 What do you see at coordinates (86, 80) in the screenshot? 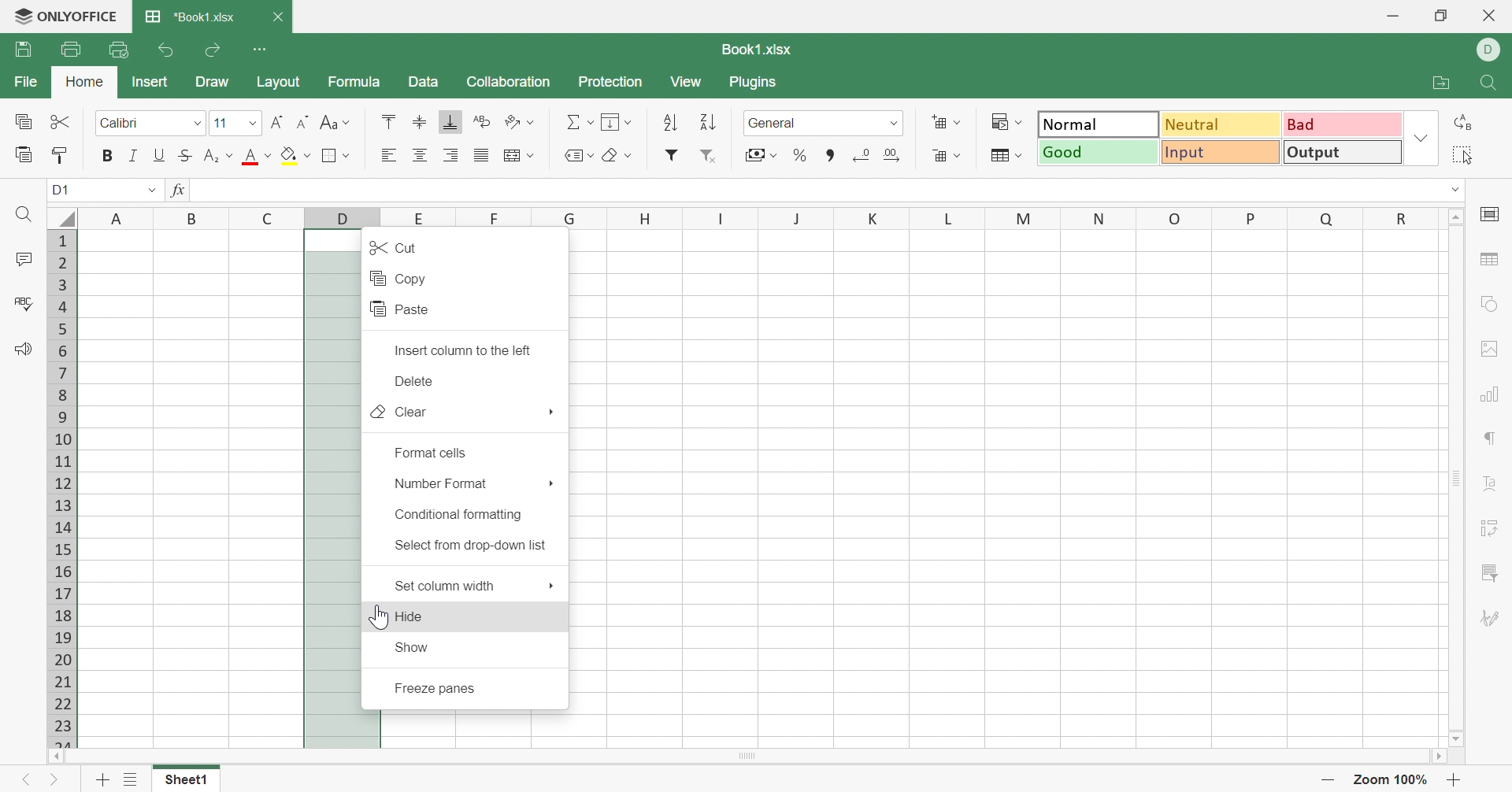
I see `Home` at bounding box center [86, 80].